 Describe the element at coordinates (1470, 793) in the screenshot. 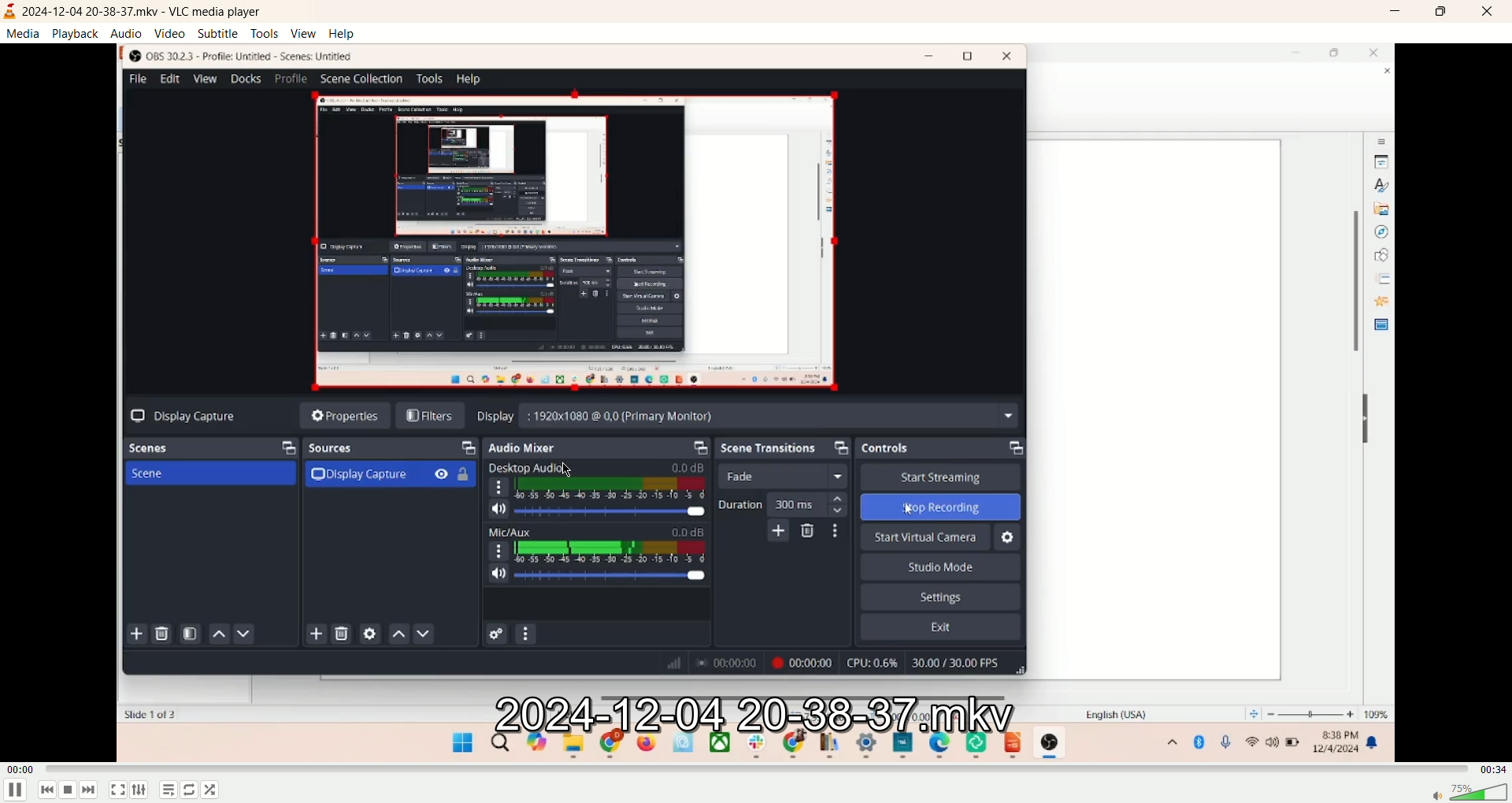

I see `volume bar` at that location.